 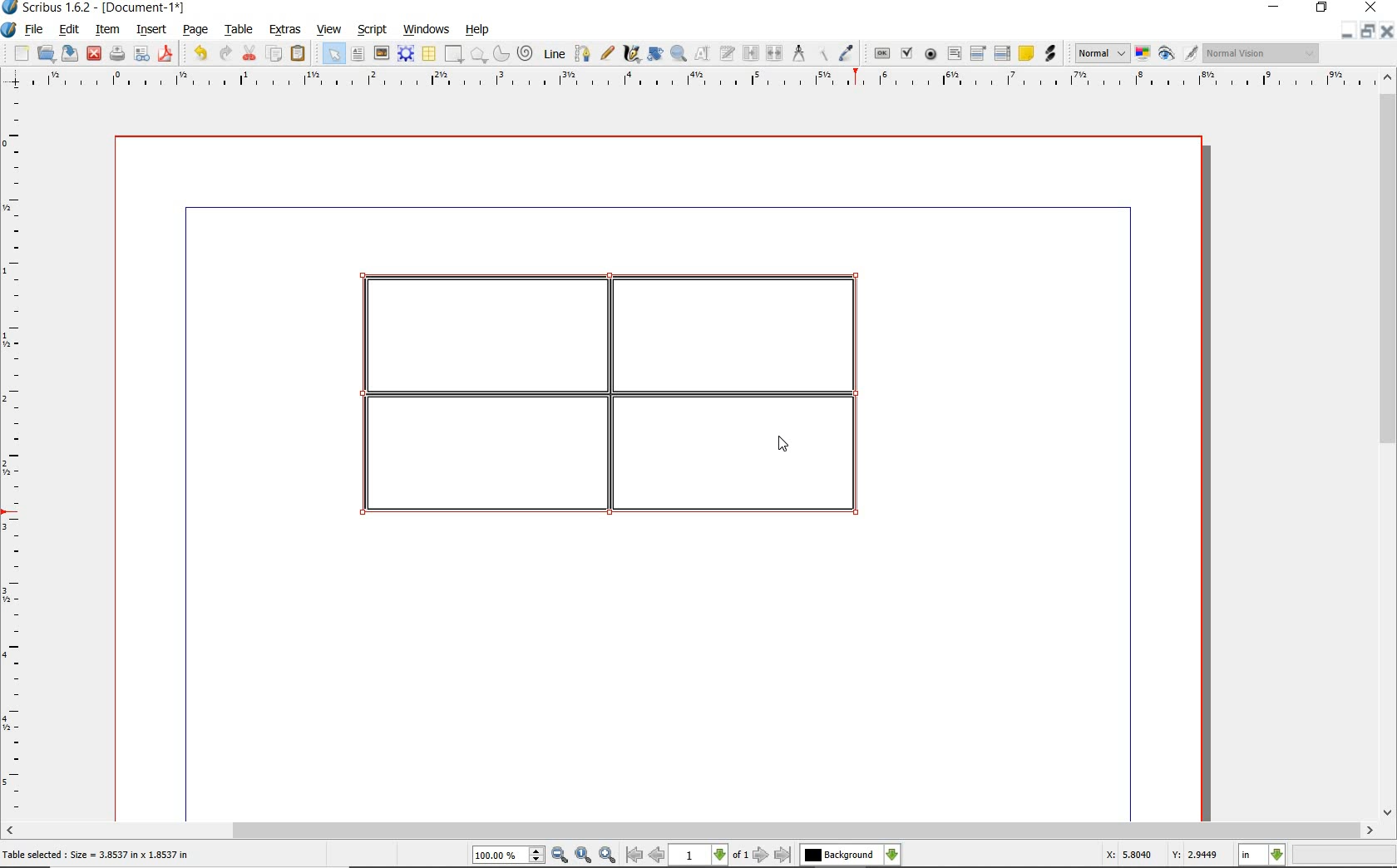 What do you see at coordinates (285, 30) in the screenshot?
I see `extras` at bounding box center [285, 30].